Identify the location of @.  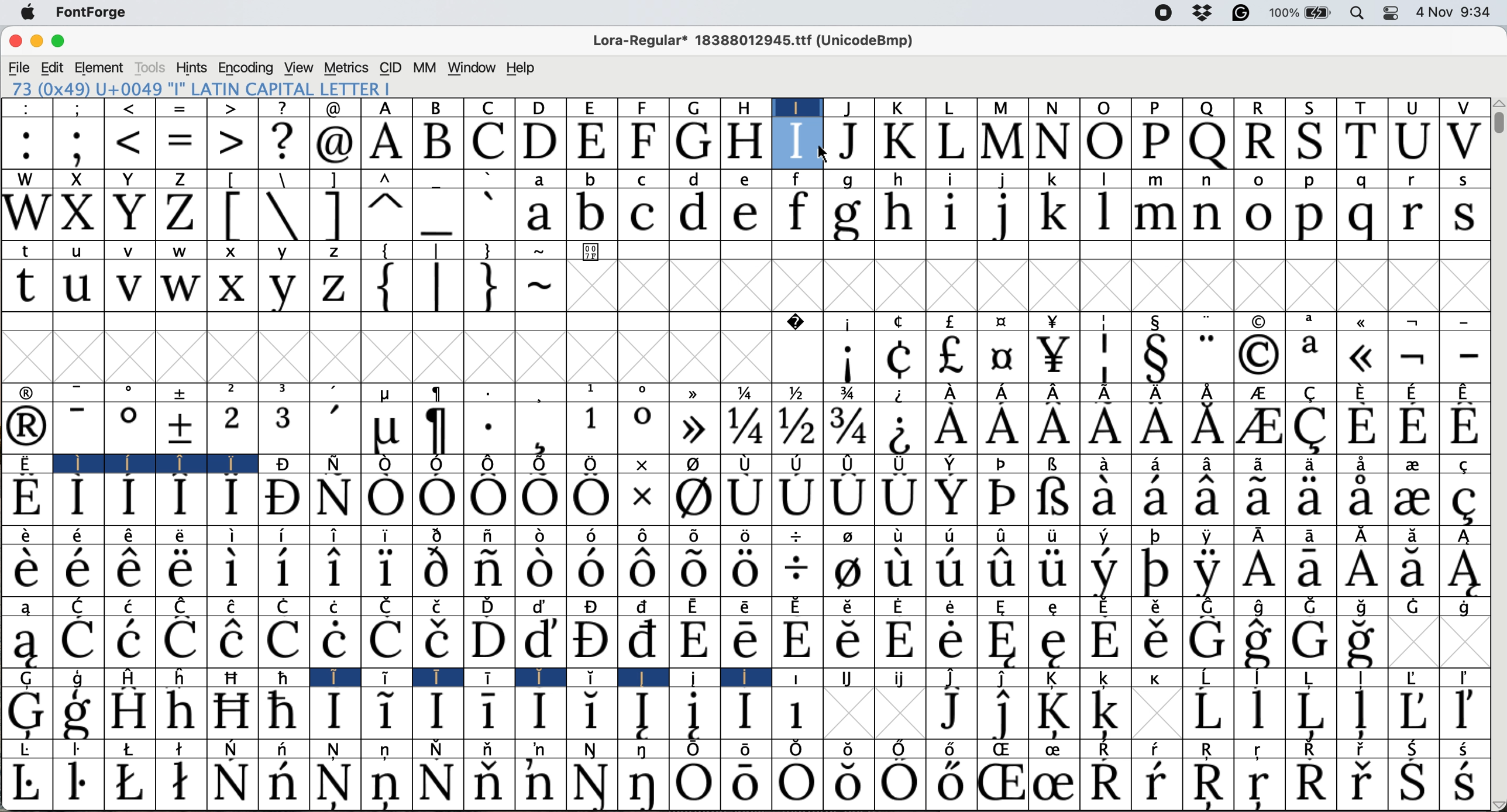
(337, 109).